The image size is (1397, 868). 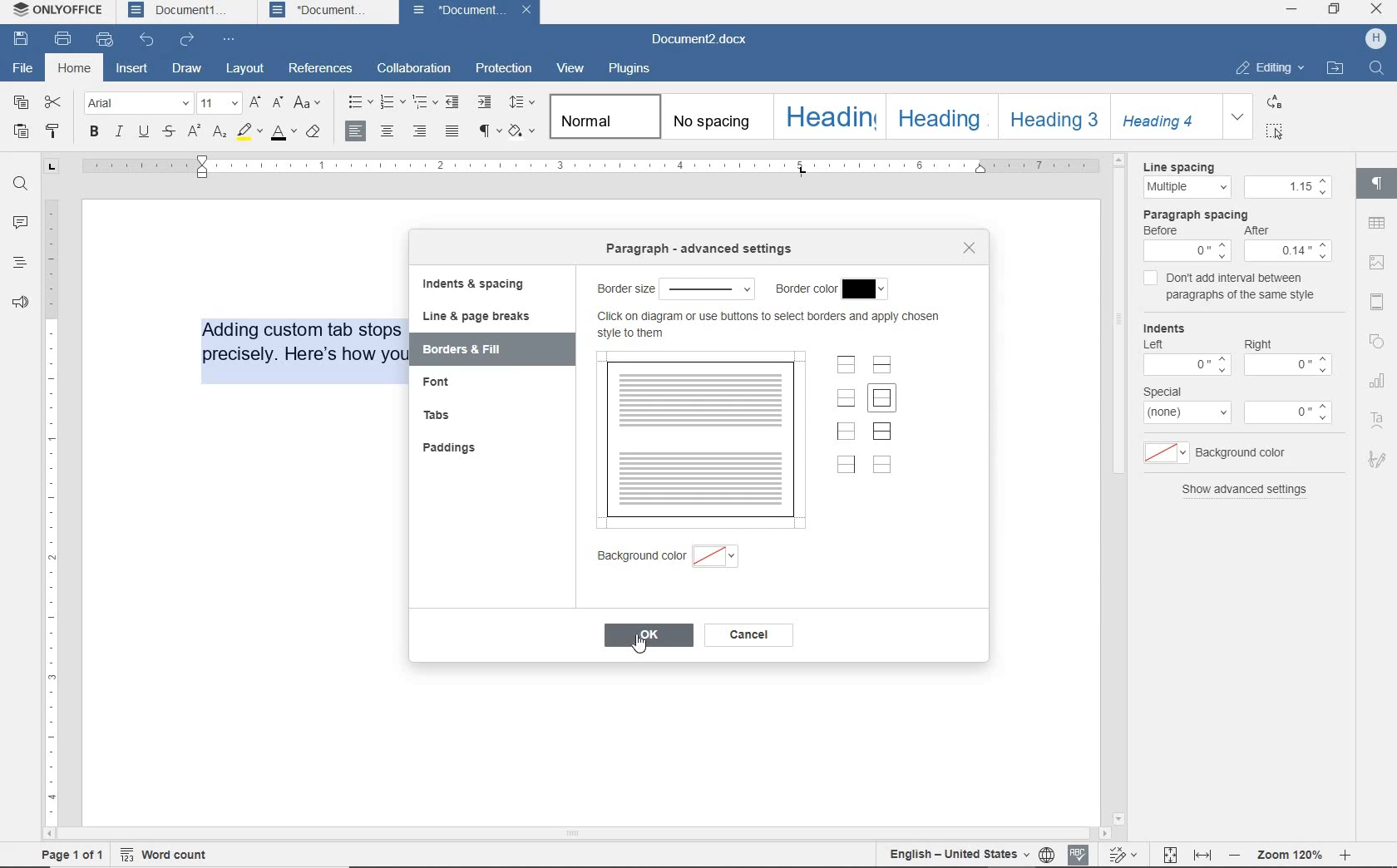 I want to click on cancel, so click(x=752, y=635).